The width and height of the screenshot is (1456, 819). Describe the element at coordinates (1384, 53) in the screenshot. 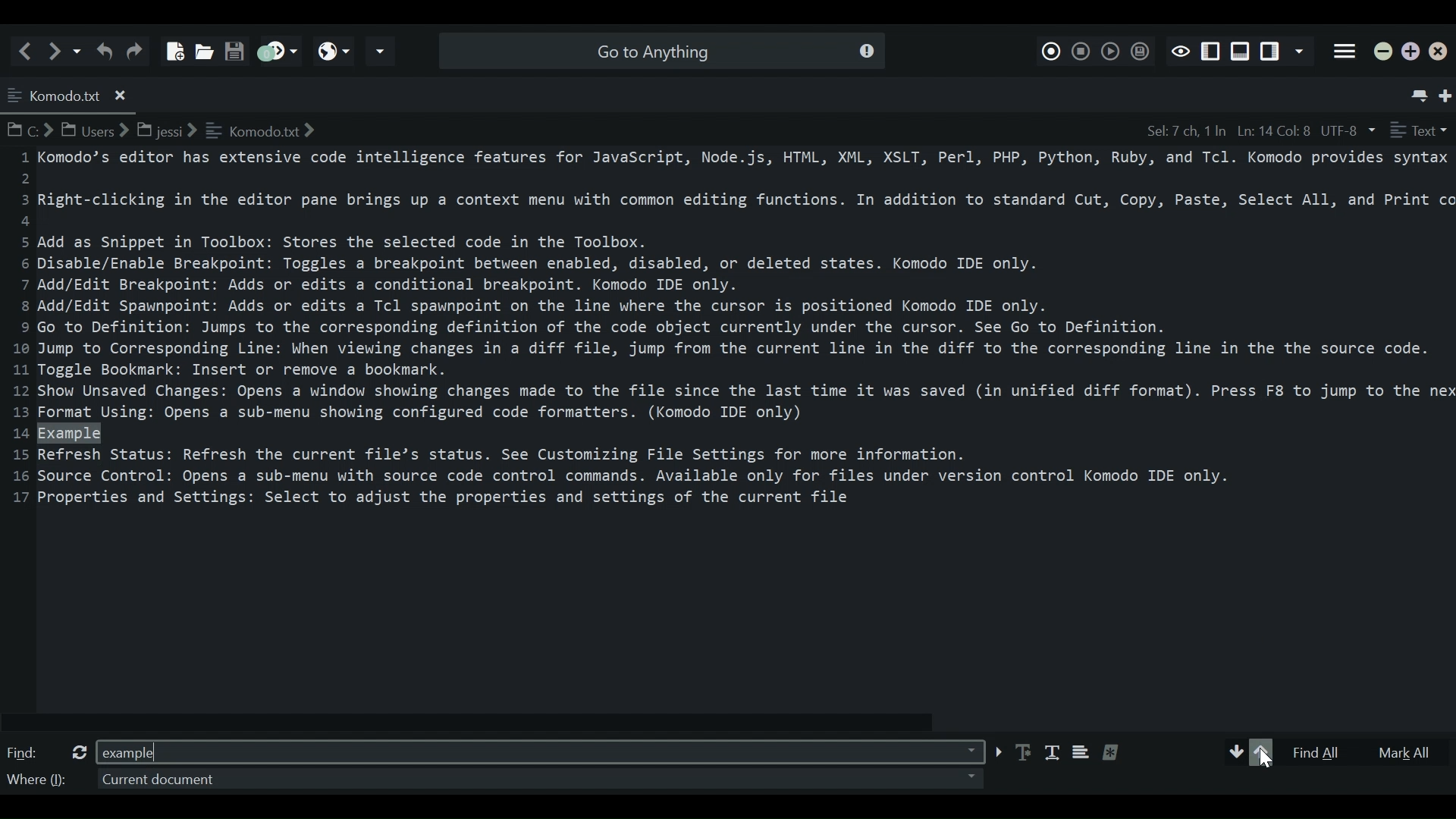

I see `minimize` at that location.